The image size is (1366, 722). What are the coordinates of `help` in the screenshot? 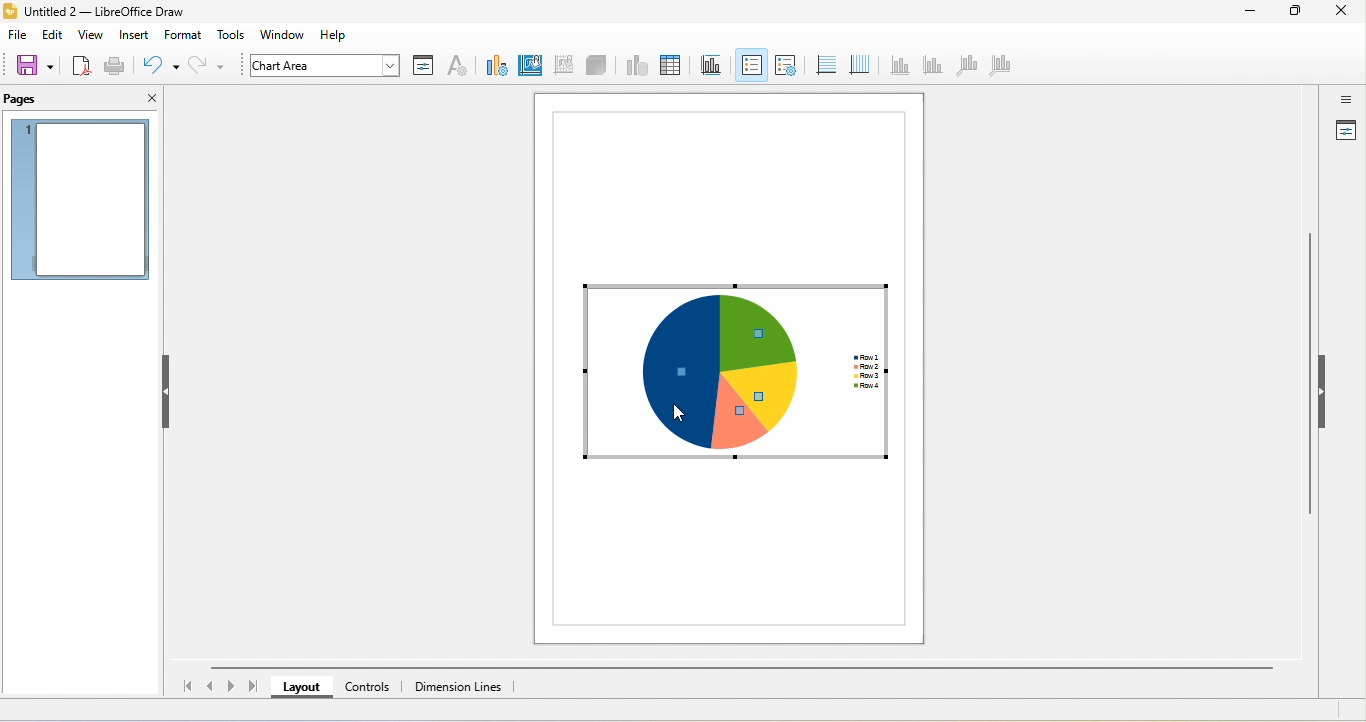 It's located at (338, 35).